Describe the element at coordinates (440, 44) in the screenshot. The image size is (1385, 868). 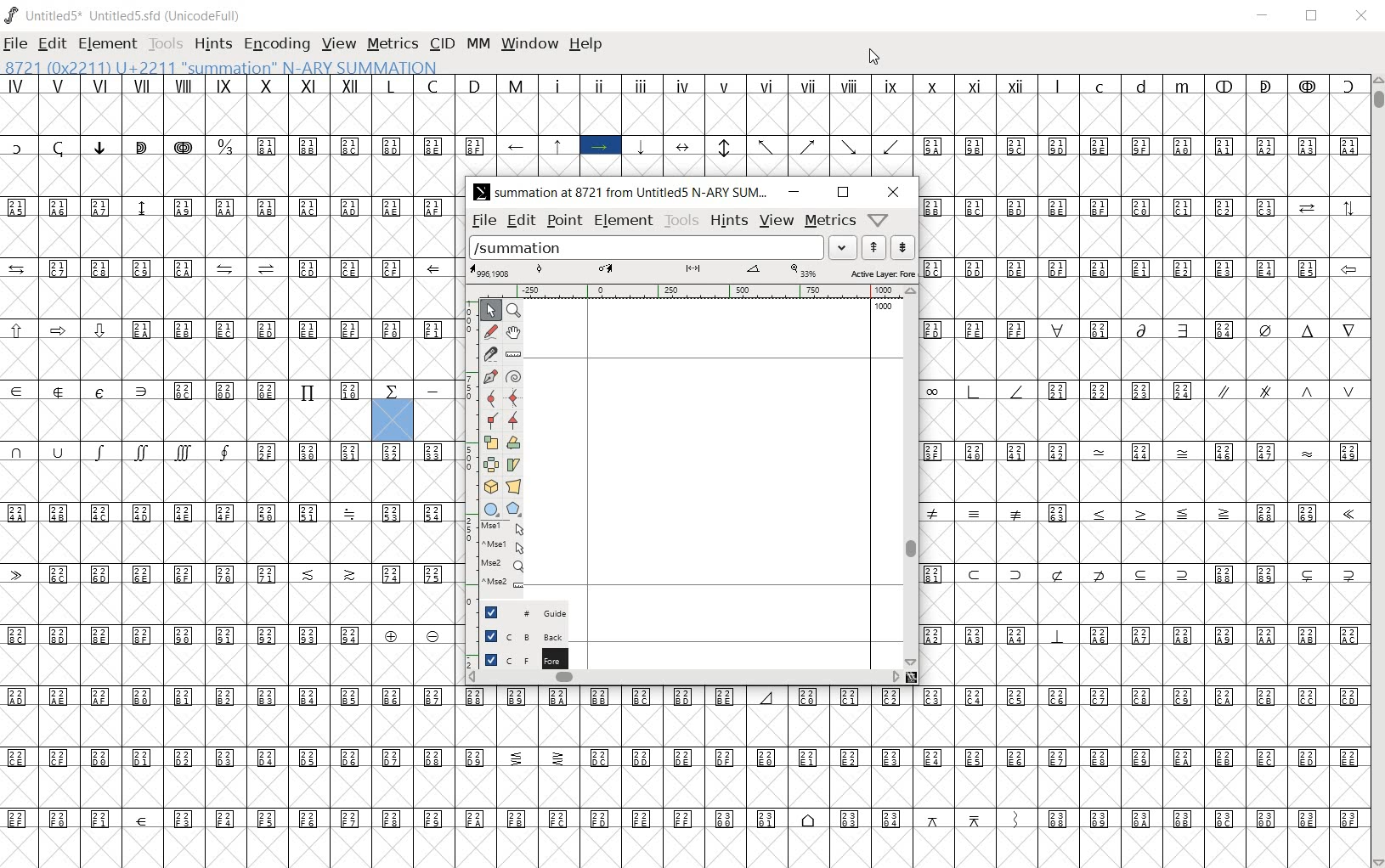
I see `CID` at that location.